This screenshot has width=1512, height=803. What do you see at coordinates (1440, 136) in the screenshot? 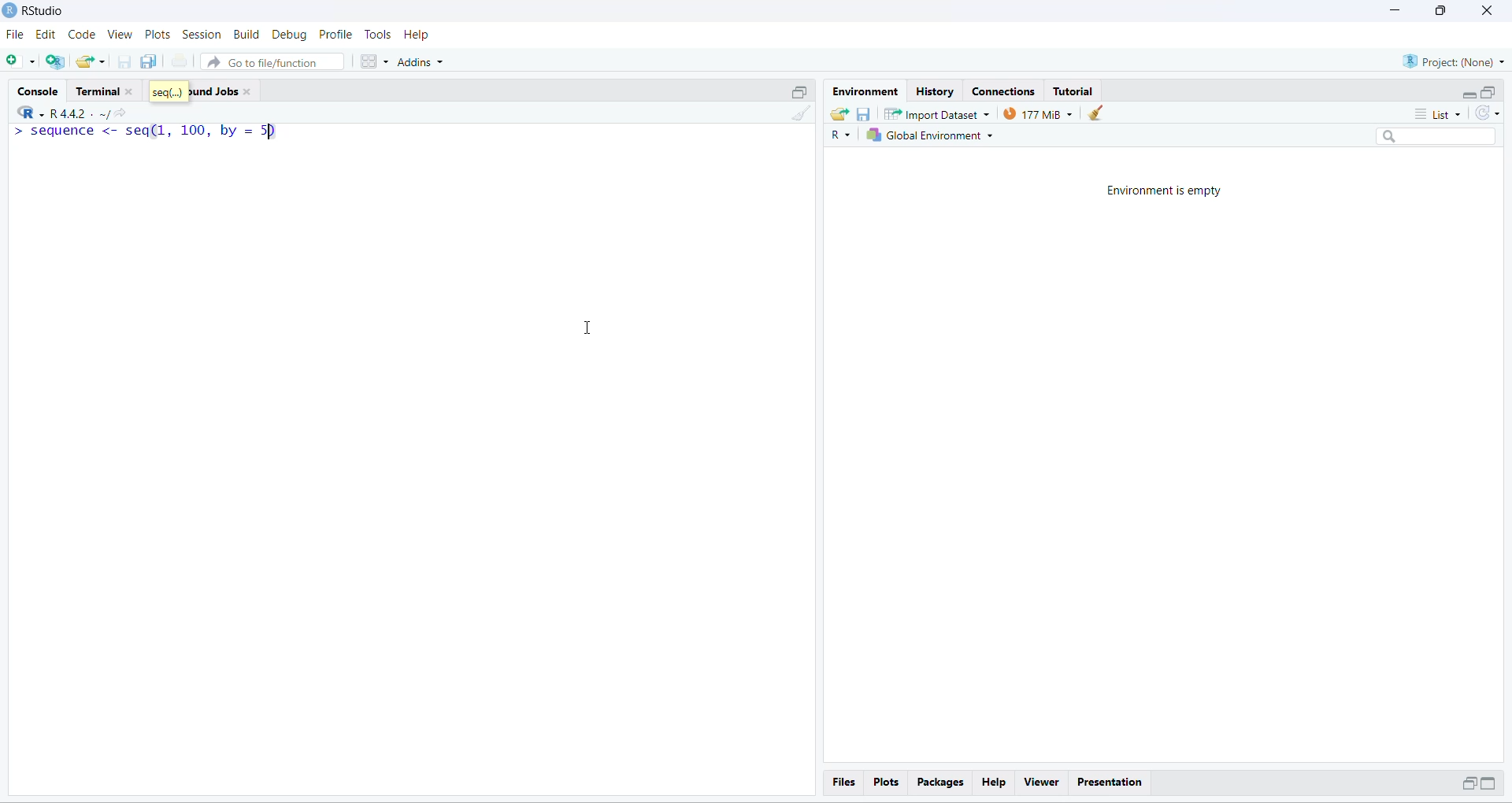
I see `search box` at bounding box center [1440, 136].